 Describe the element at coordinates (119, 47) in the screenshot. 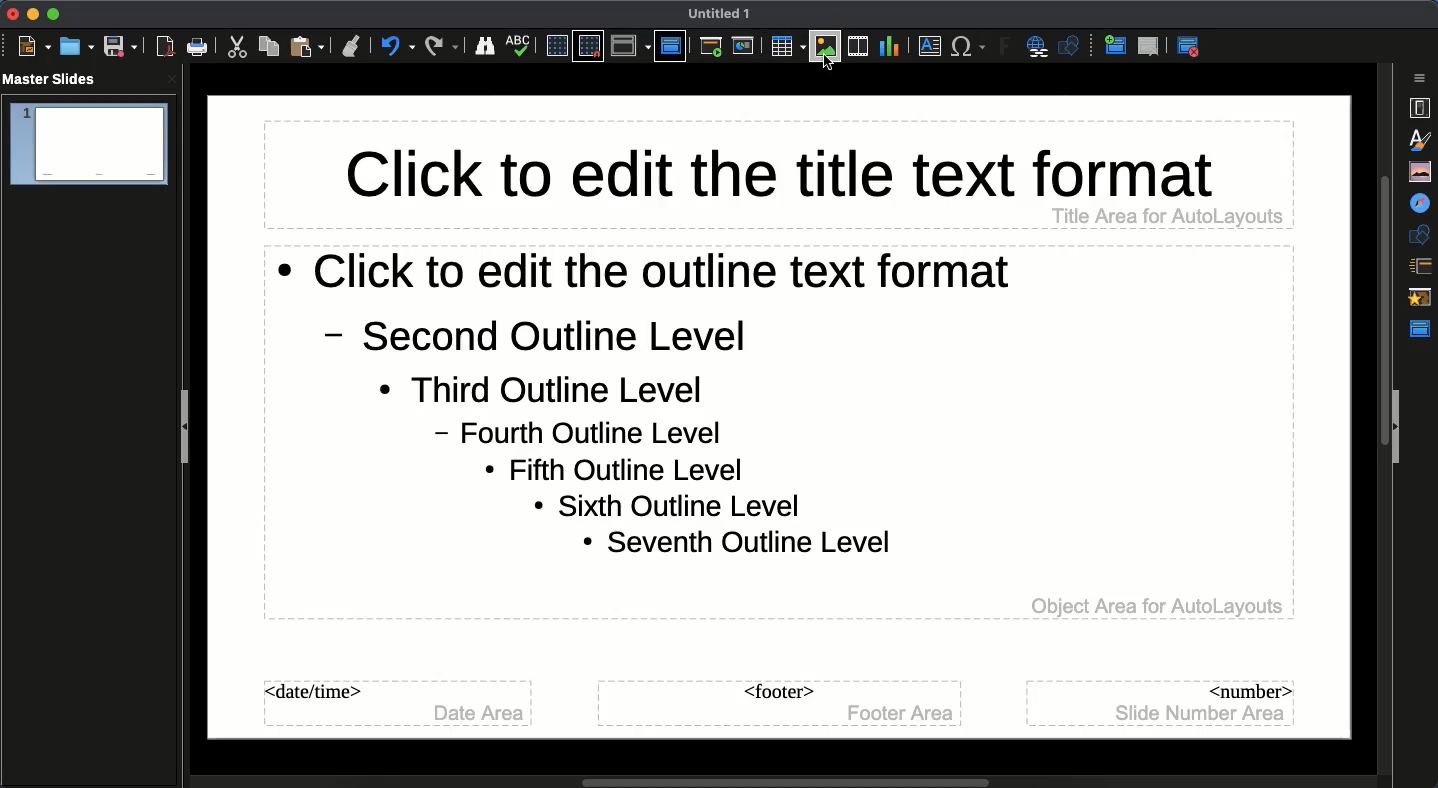

I see `Save` at that location.